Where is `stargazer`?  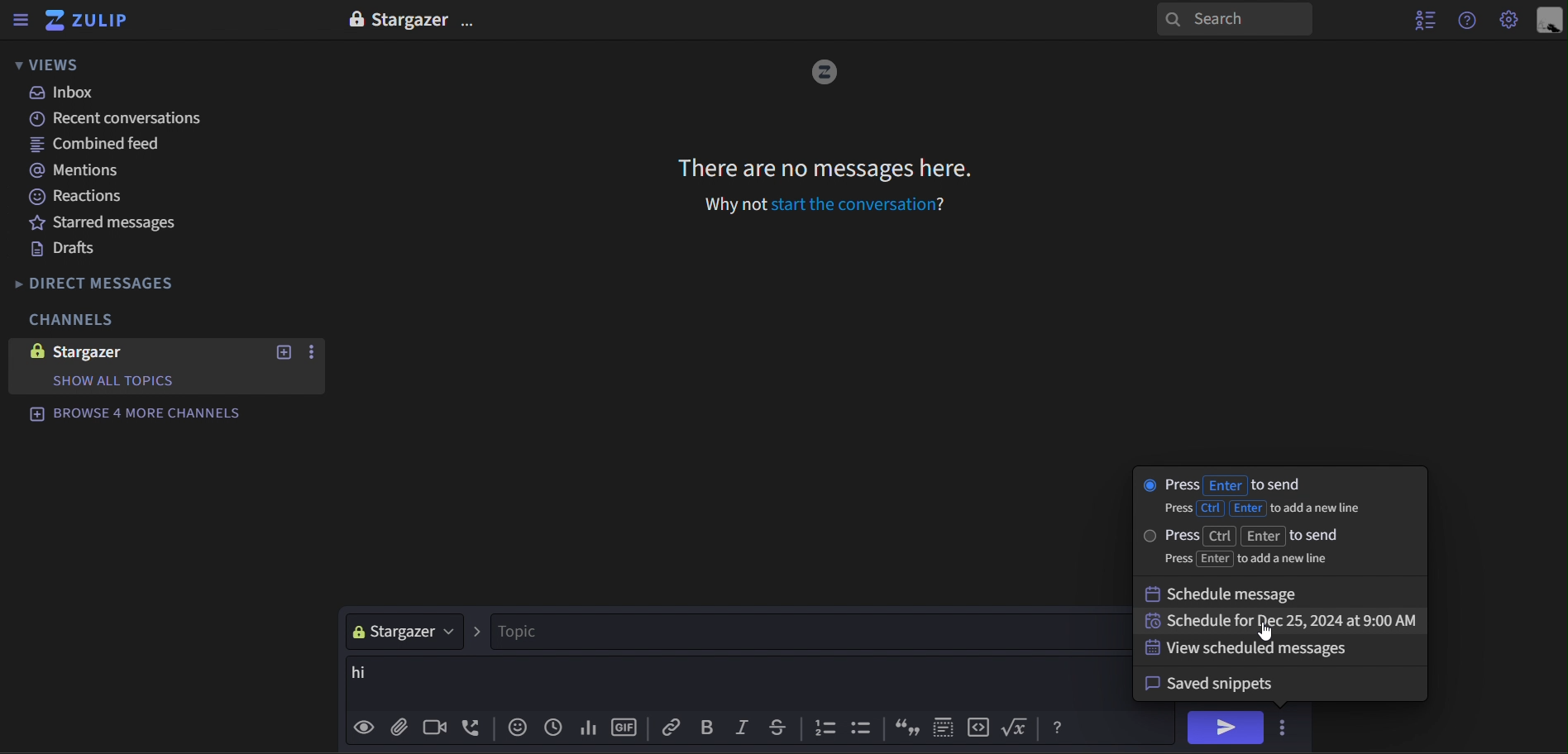 stargazer is located at coordinates (406, 631).